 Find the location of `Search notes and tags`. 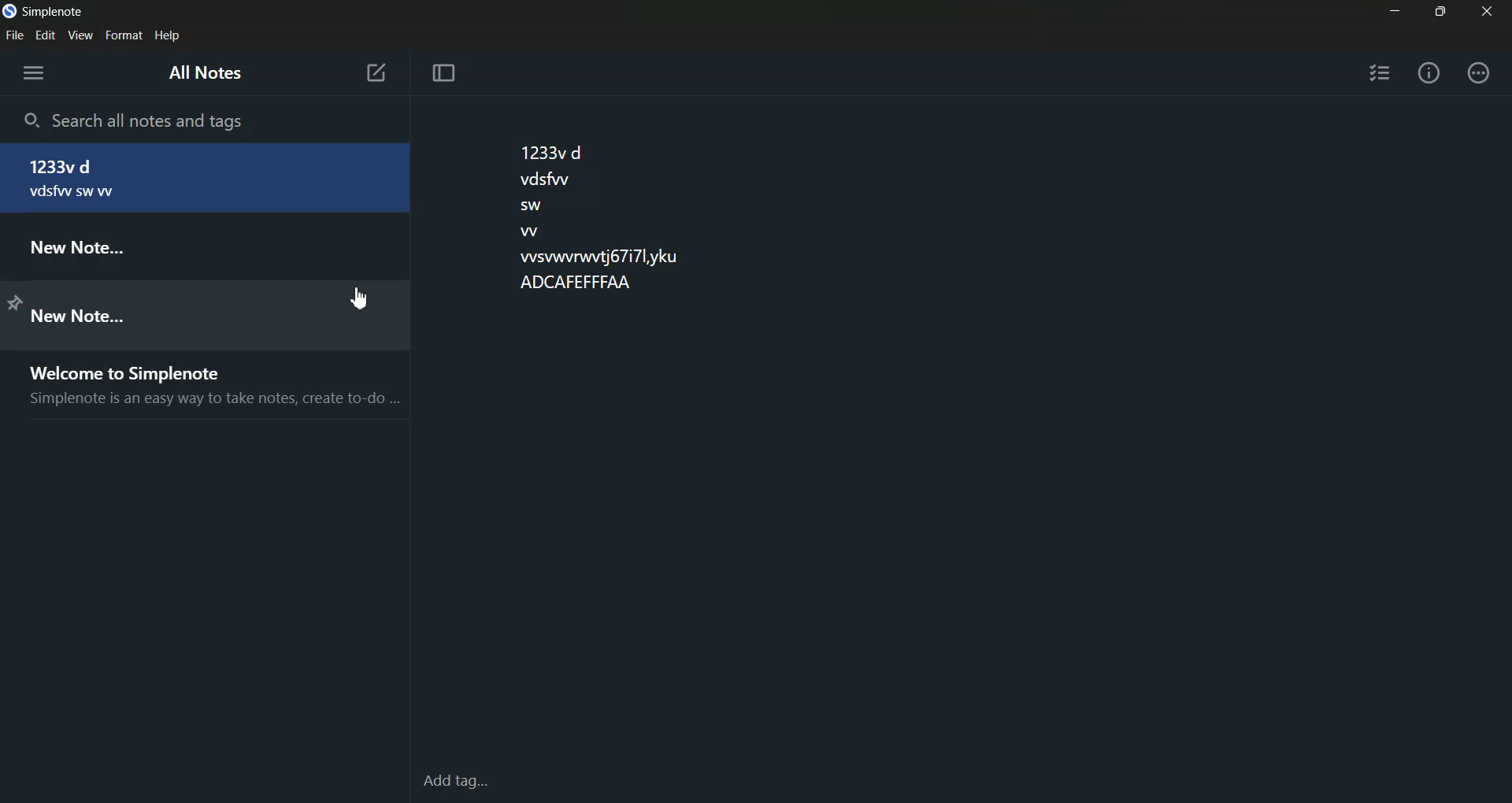

Search notes and tags is located at coordinates (205, 119).